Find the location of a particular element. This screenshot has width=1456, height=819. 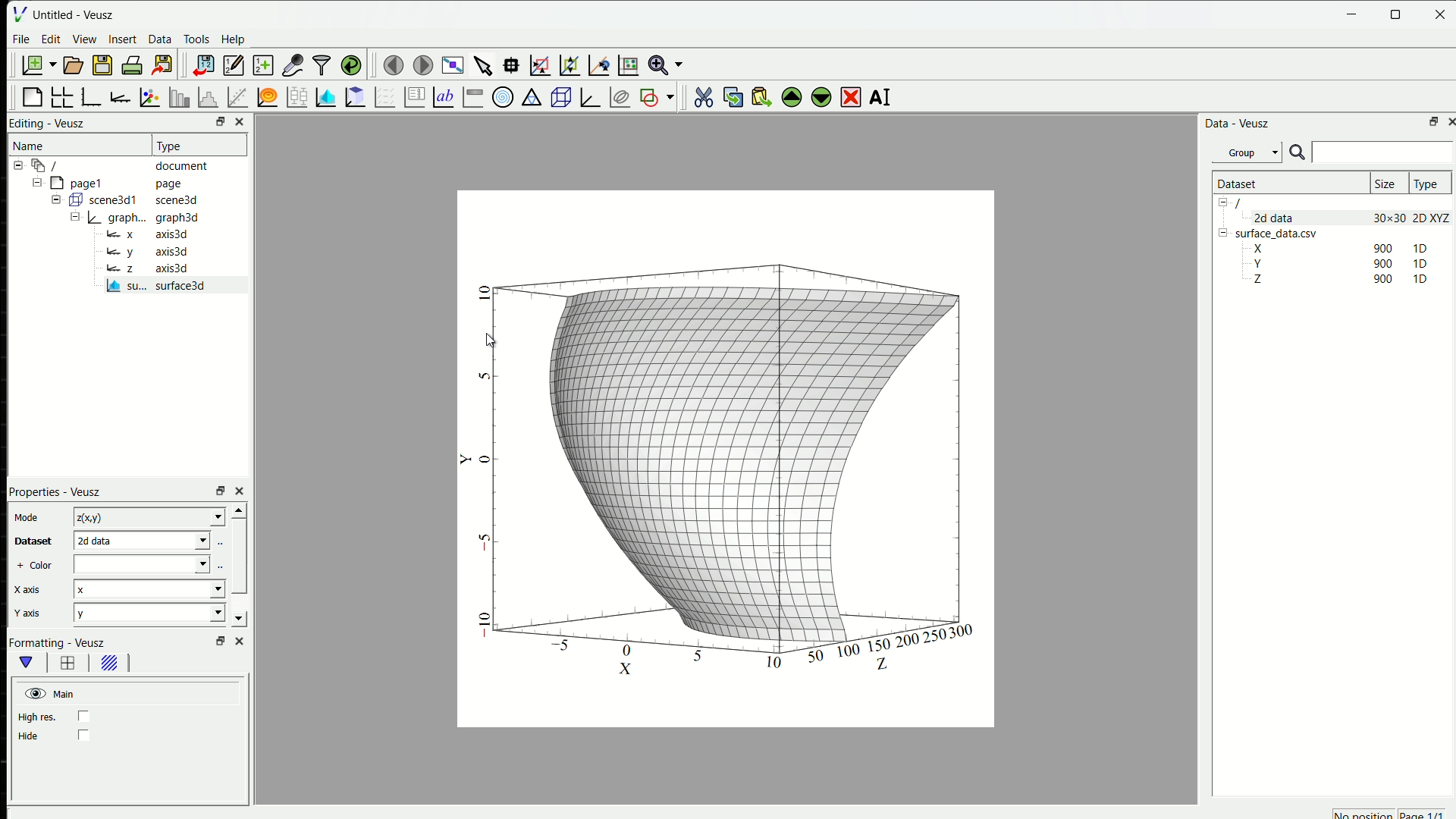

Group is located at coordinates (1247, 152).